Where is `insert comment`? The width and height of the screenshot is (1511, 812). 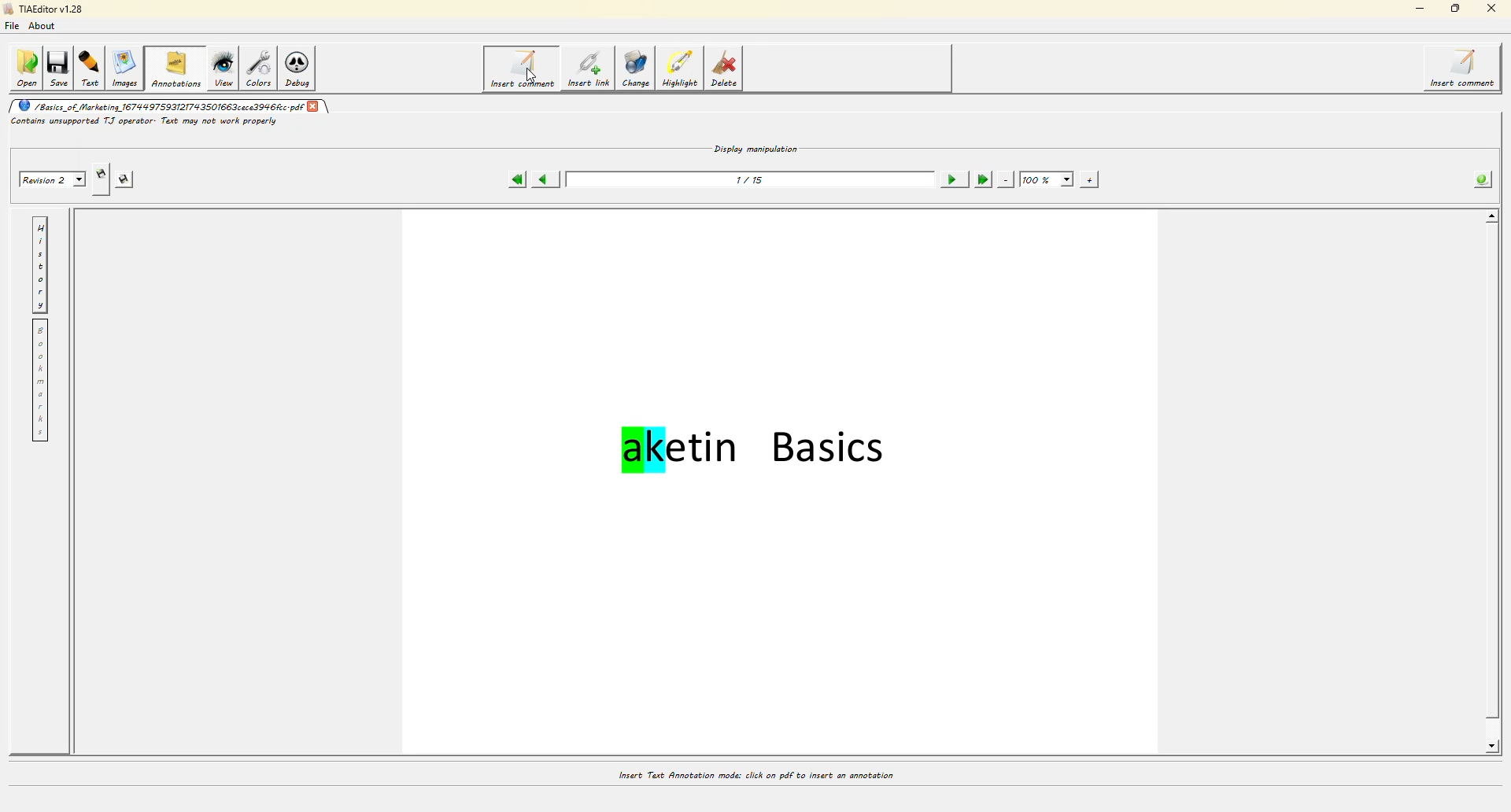 insert comment is located at coordinates (520, 68).